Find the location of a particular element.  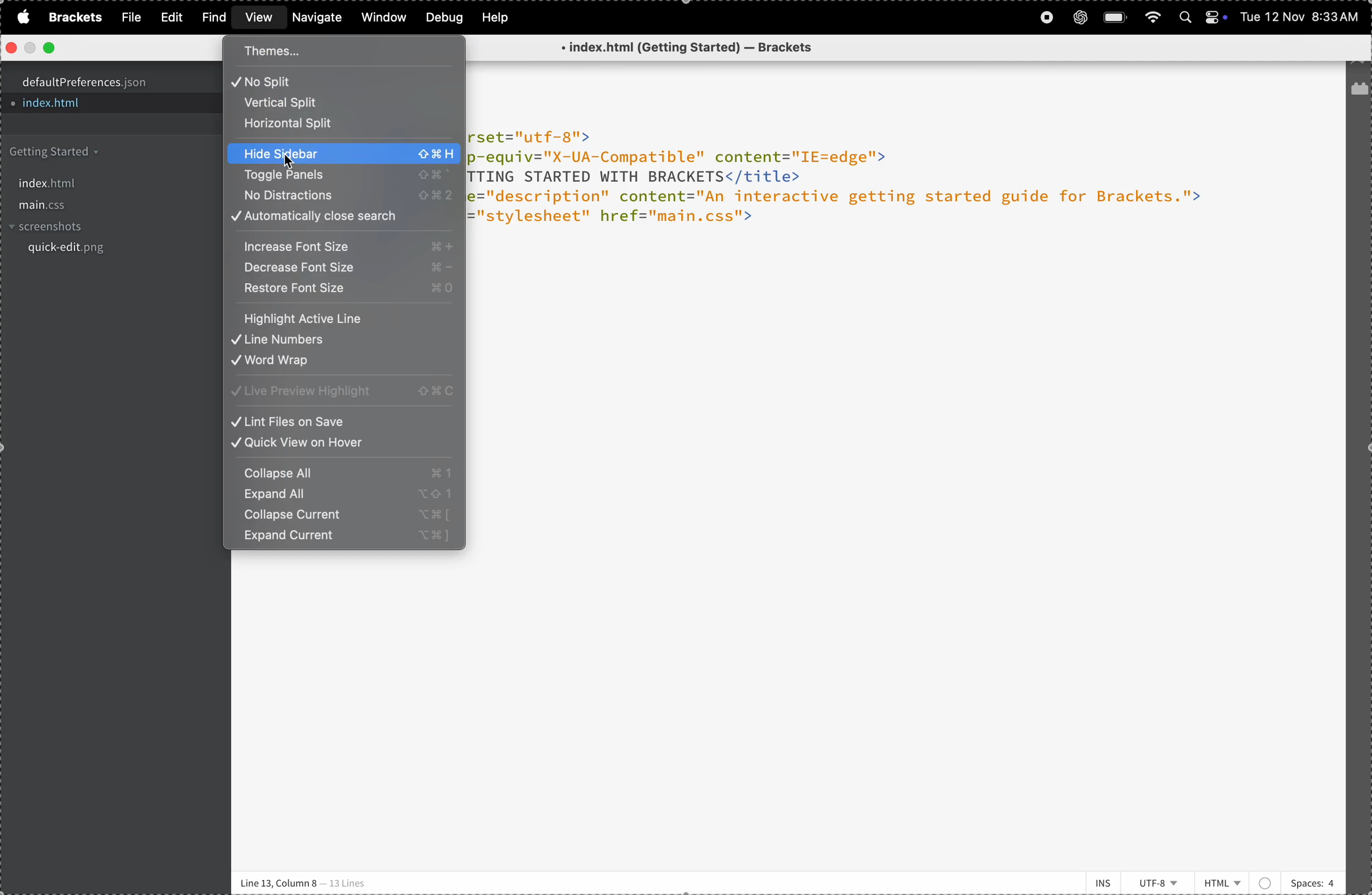

hide sidebar is located at coordinates (345, 153).